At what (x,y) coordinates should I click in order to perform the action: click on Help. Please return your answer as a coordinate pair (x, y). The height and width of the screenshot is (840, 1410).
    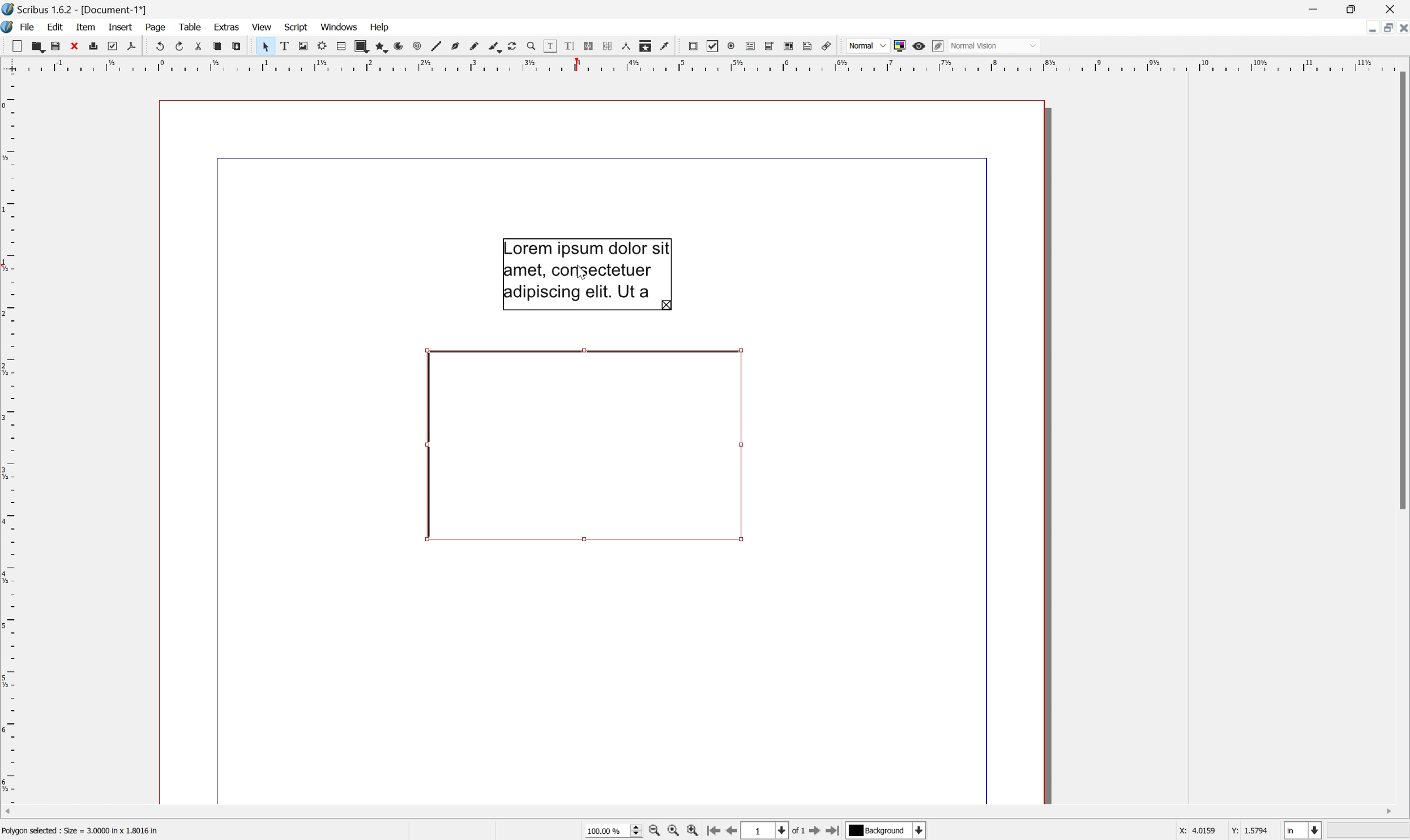
    Looking at the image, I should click on (380, 27).